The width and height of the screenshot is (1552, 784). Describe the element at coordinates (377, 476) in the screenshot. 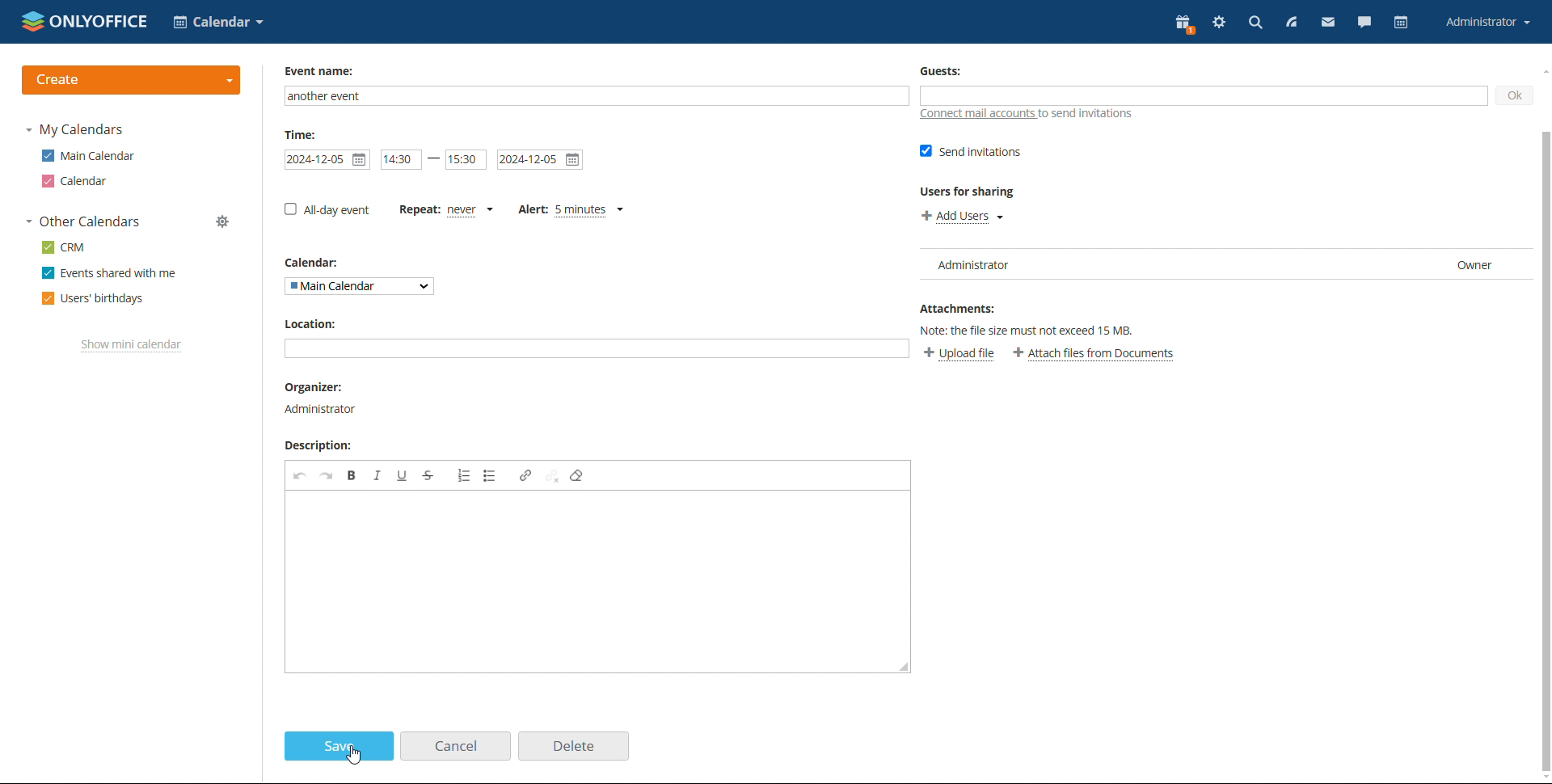

I see `italic` at that location.